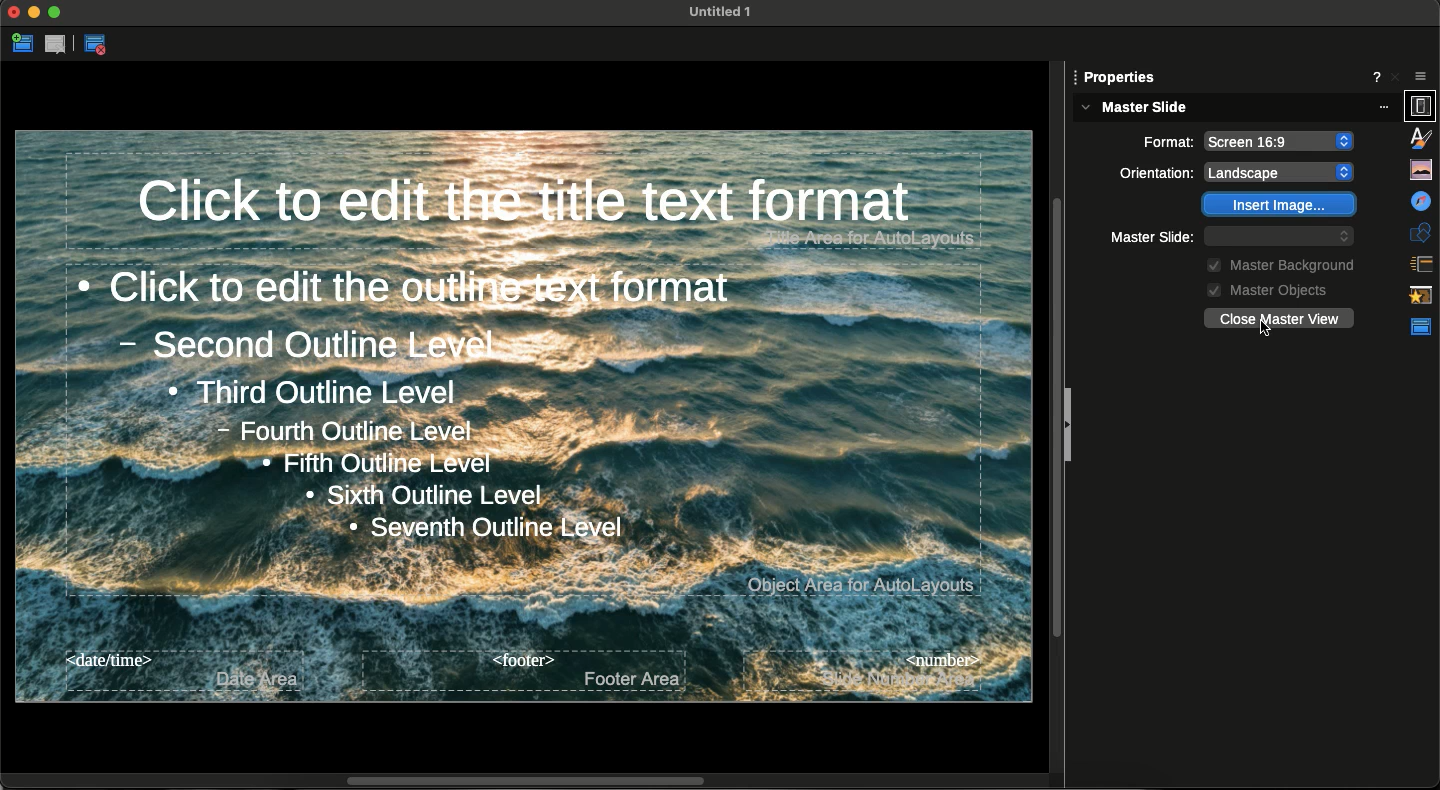  Describe the element at coordinates (1422, 228) in the screenshot. I see `Slide transition` at that location.